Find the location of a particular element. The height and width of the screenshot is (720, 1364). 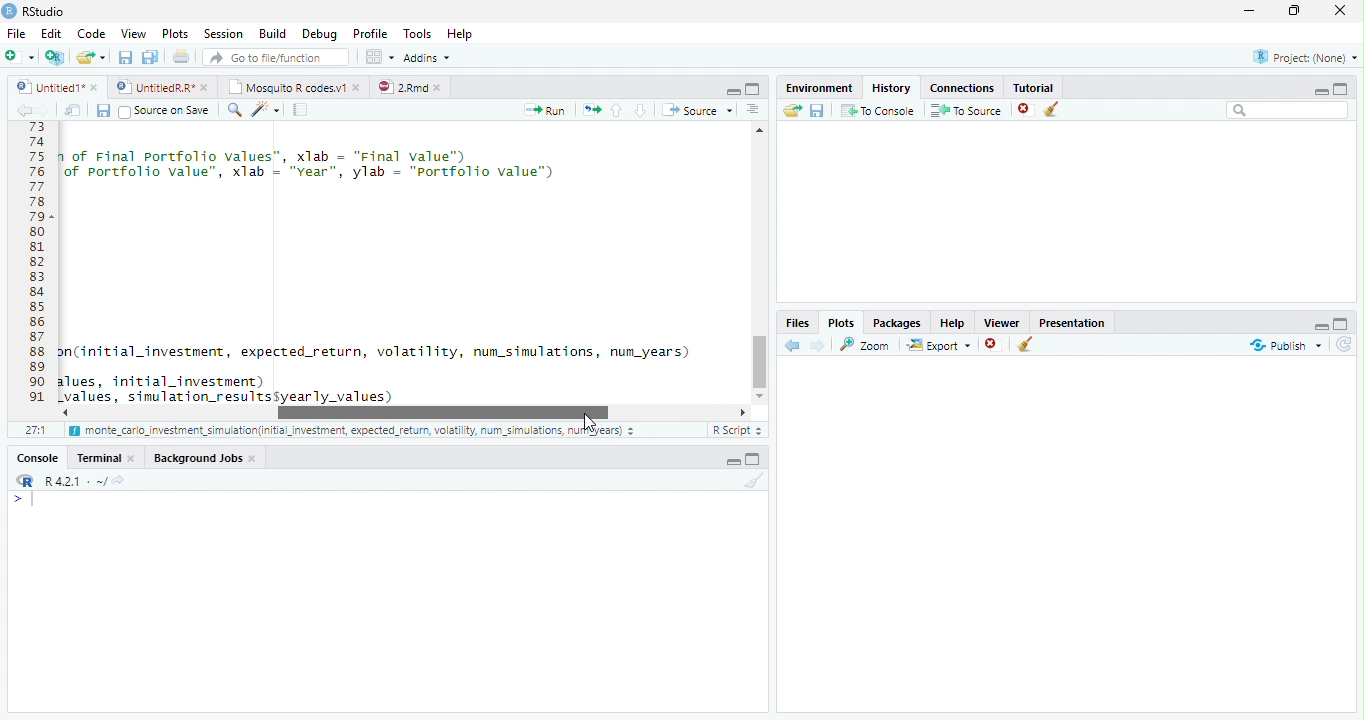

Full Height is located at coordinates (1342, 87).